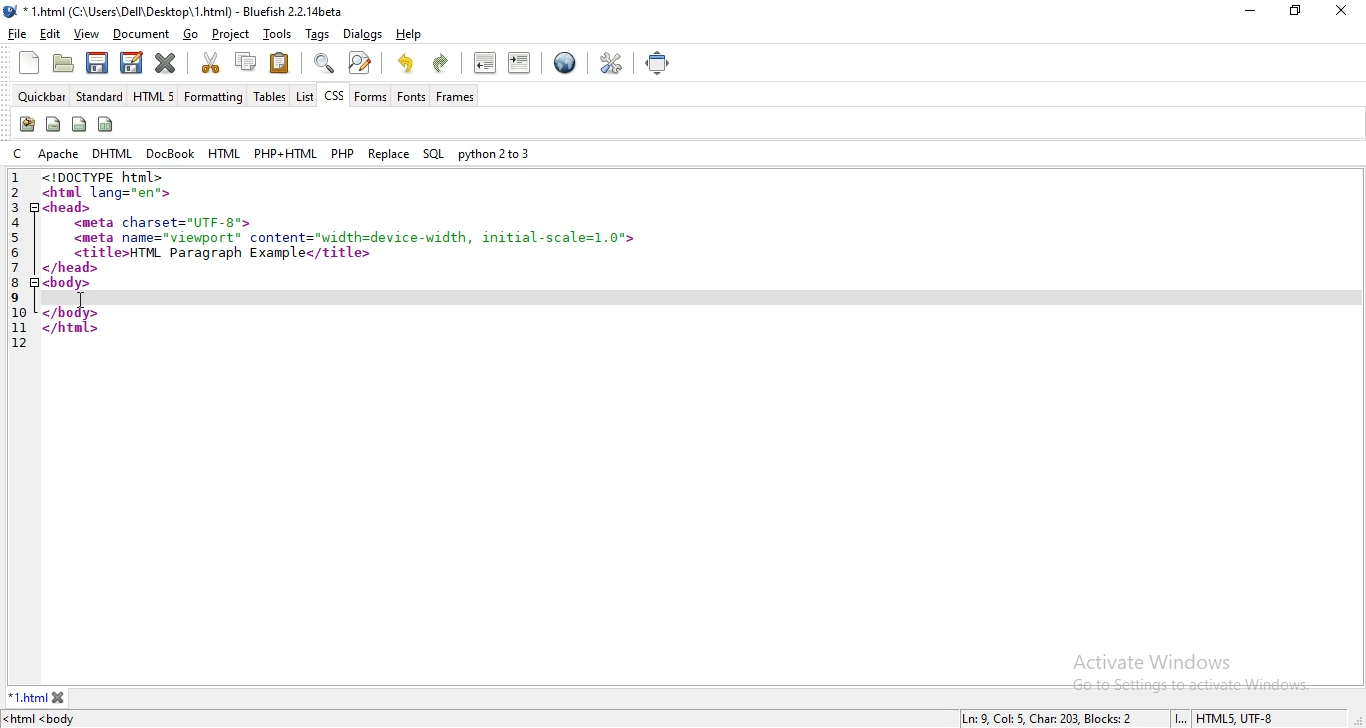 The height and width of the screenshot is (728, 1366). I want to click on restore windows, so click(1293, 11).